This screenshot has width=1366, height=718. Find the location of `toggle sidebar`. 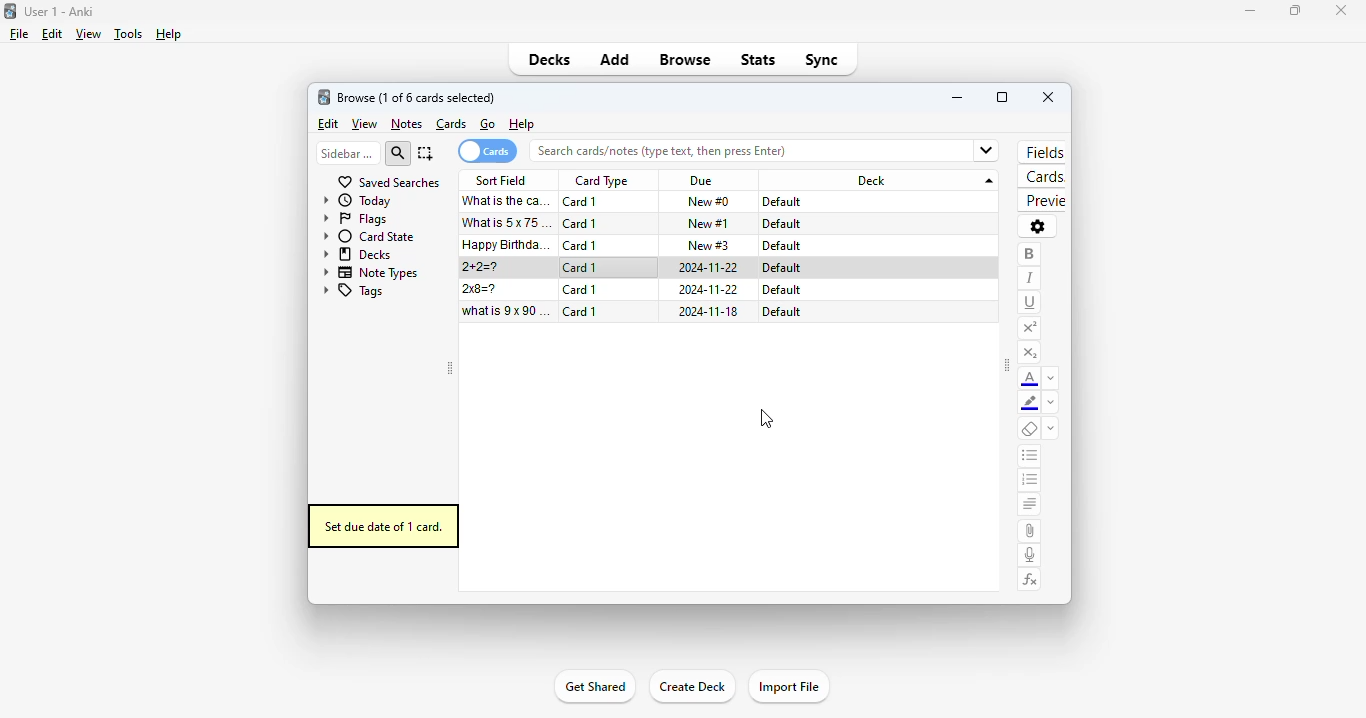

toggle sidebar is located at coordinates (1007, 367).